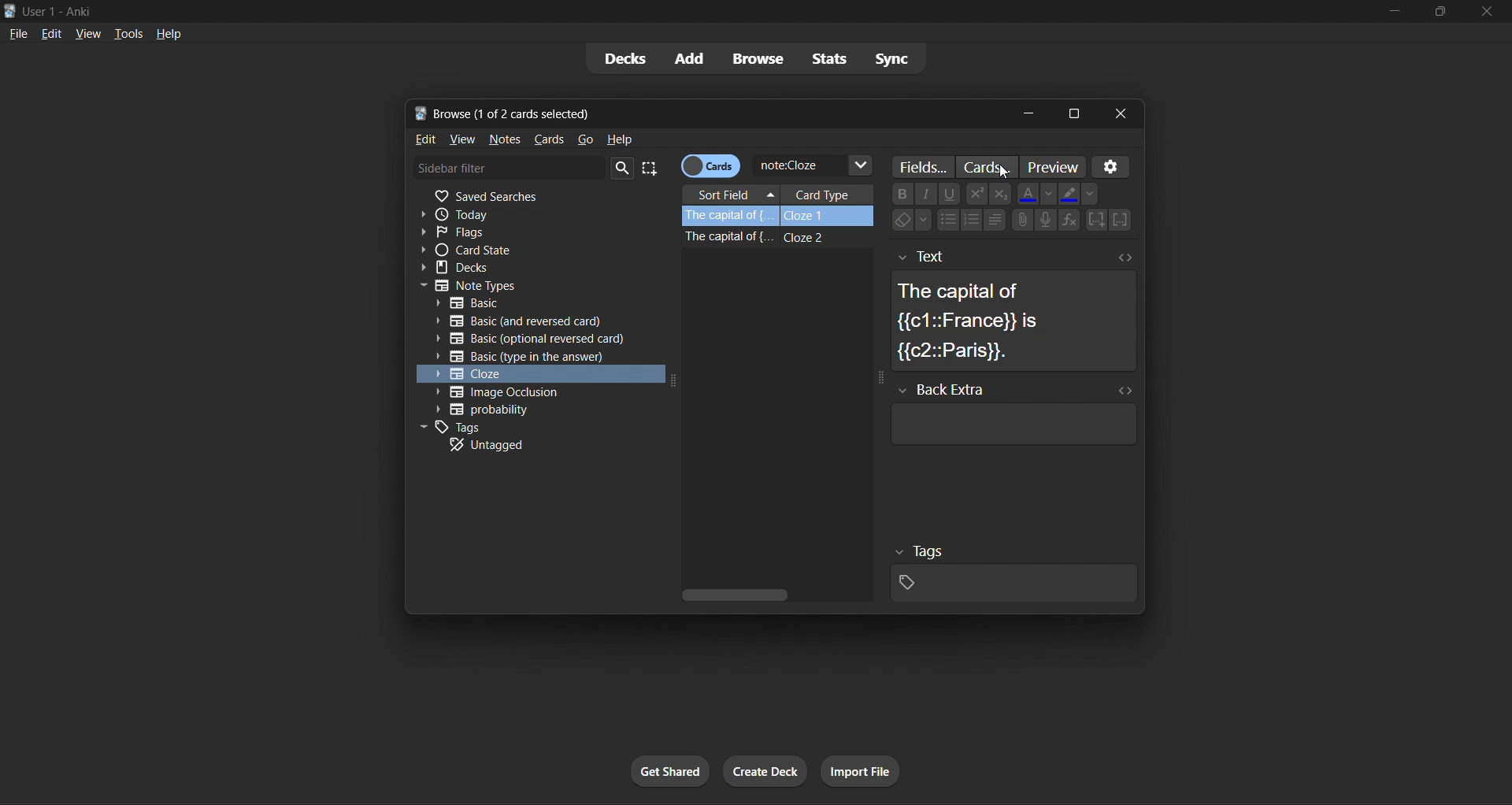  I want to click on maximize, so click(1073, 114).